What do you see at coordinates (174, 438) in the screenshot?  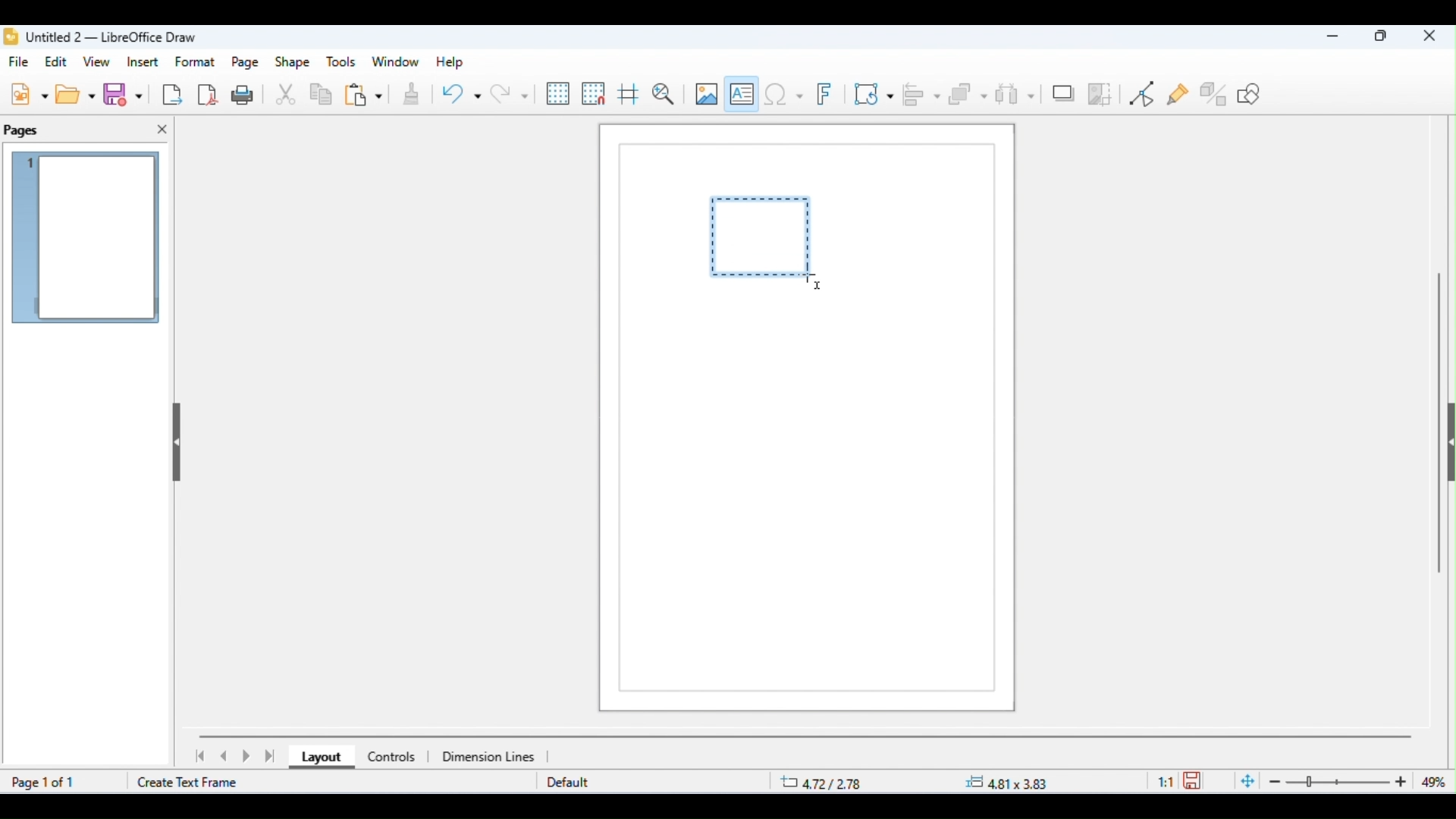 I see `hide` at bounding box center [174, 438].